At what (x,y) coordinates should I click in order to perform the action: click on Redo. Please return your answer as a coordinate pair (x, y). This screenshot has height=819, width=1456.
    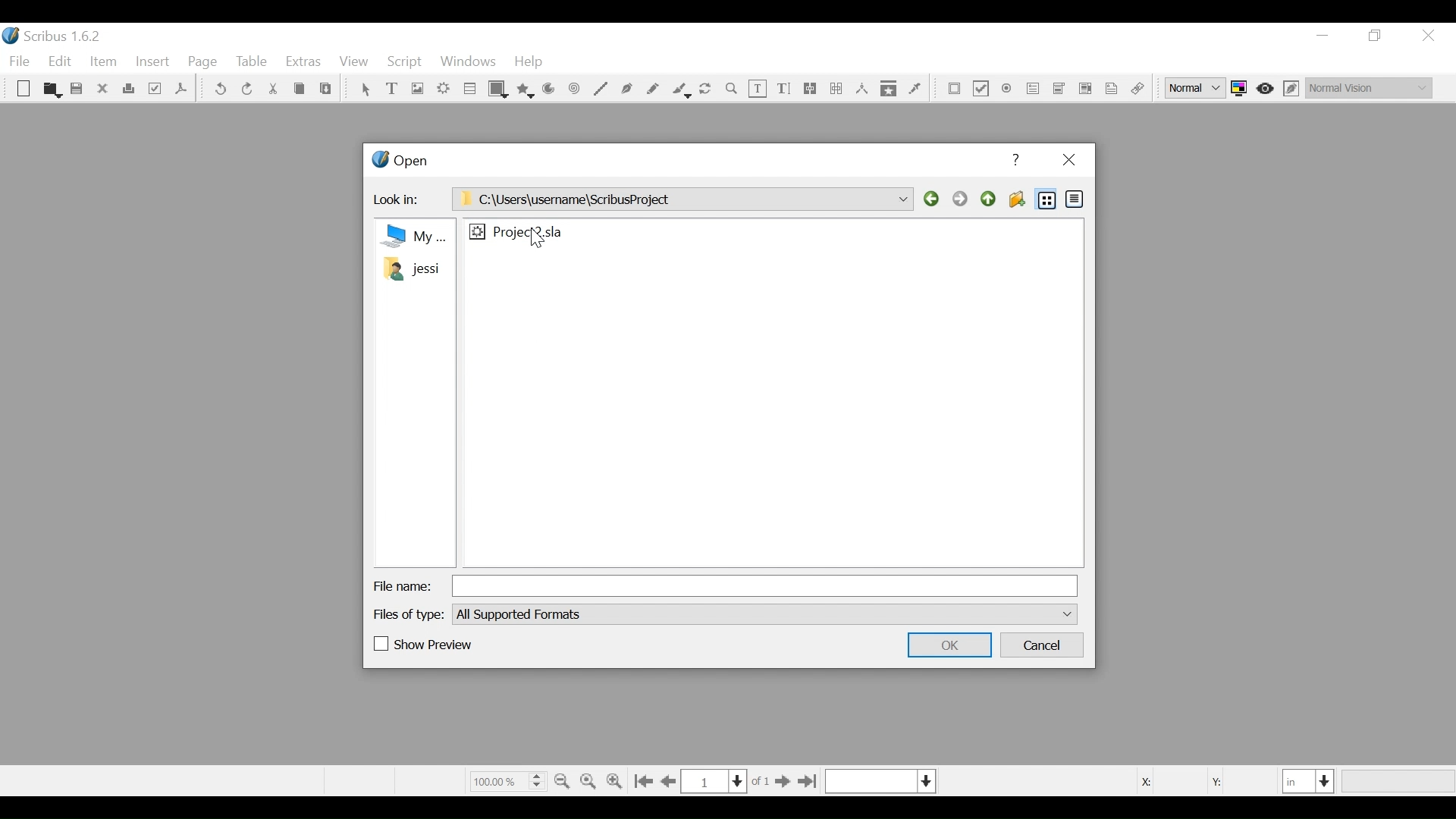
    Looking at the image, I should click on (246, 88).